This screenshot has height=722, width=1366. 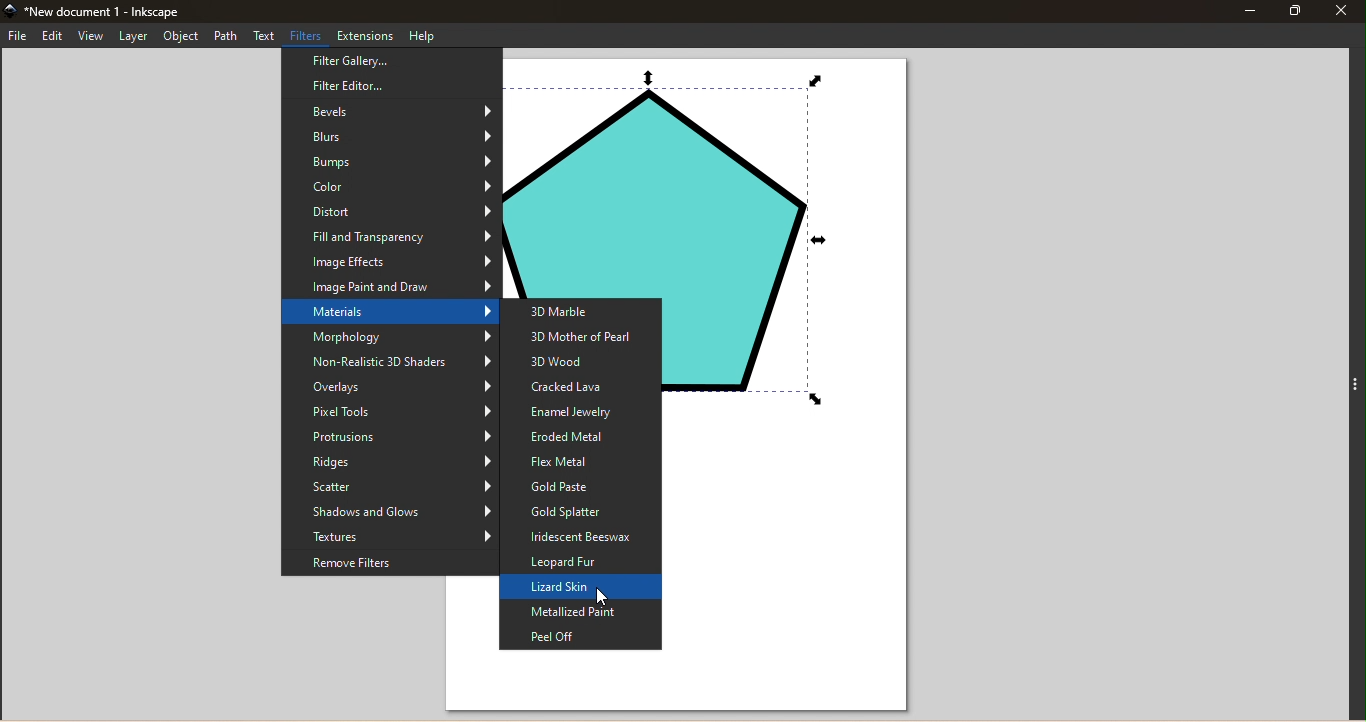 I want to click on 3D Wood, so click(x=582, y=361).